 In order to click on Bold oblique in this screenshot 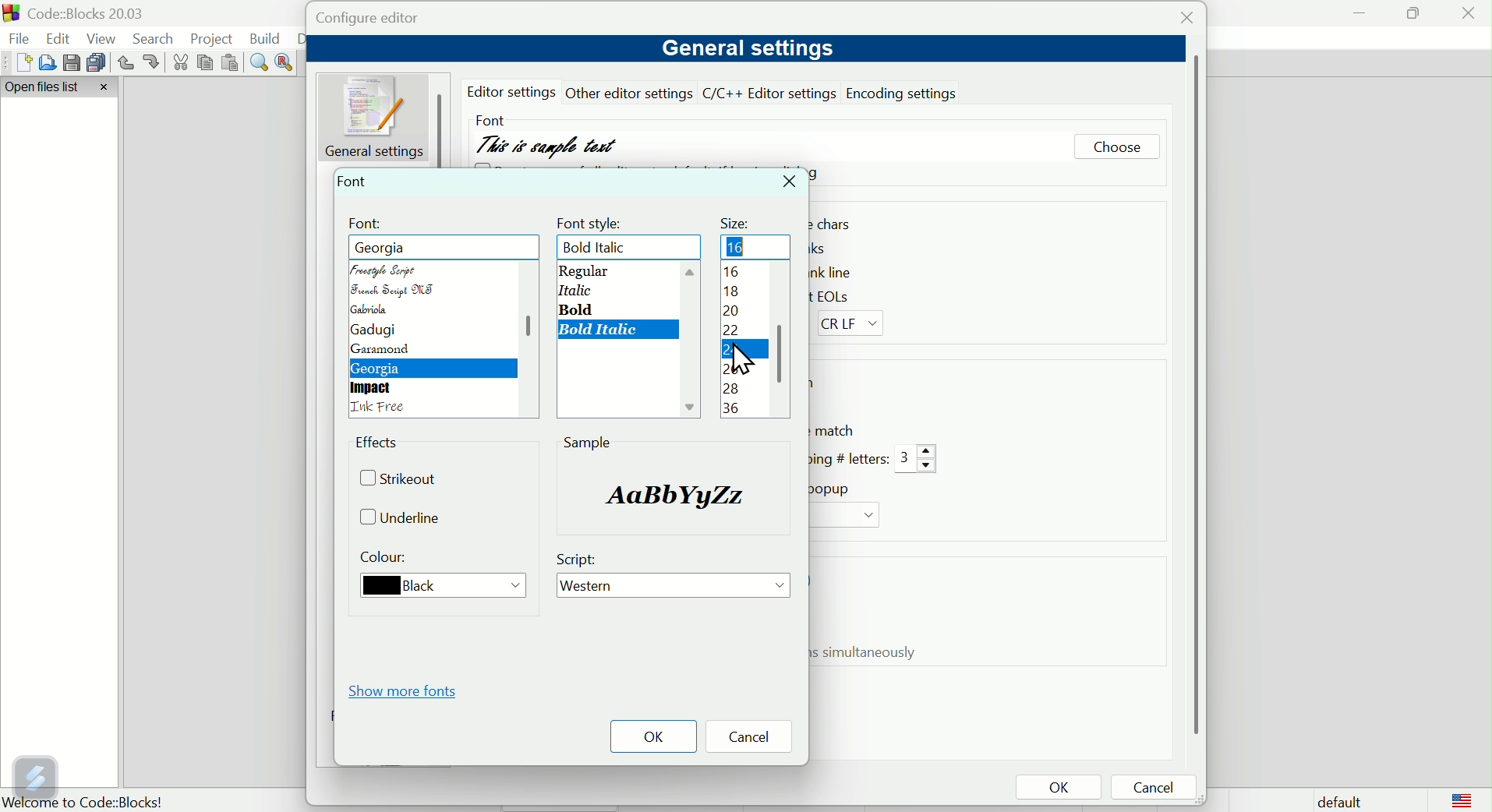, I will do `click(603, 248)`.